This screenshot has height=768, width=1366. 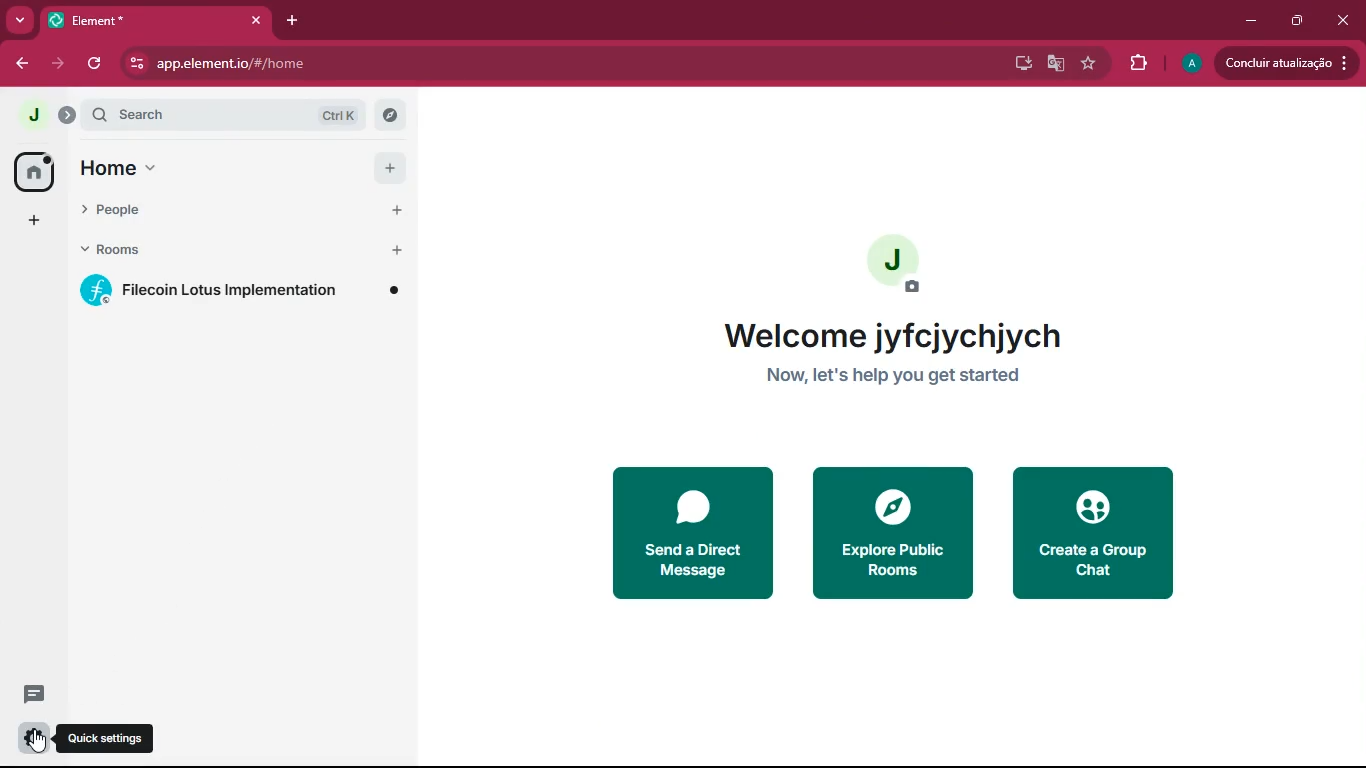 What do you see at coordinates (1020, 64) in the screenshot?
I see `desktop` at bounding box center [1020, 64].